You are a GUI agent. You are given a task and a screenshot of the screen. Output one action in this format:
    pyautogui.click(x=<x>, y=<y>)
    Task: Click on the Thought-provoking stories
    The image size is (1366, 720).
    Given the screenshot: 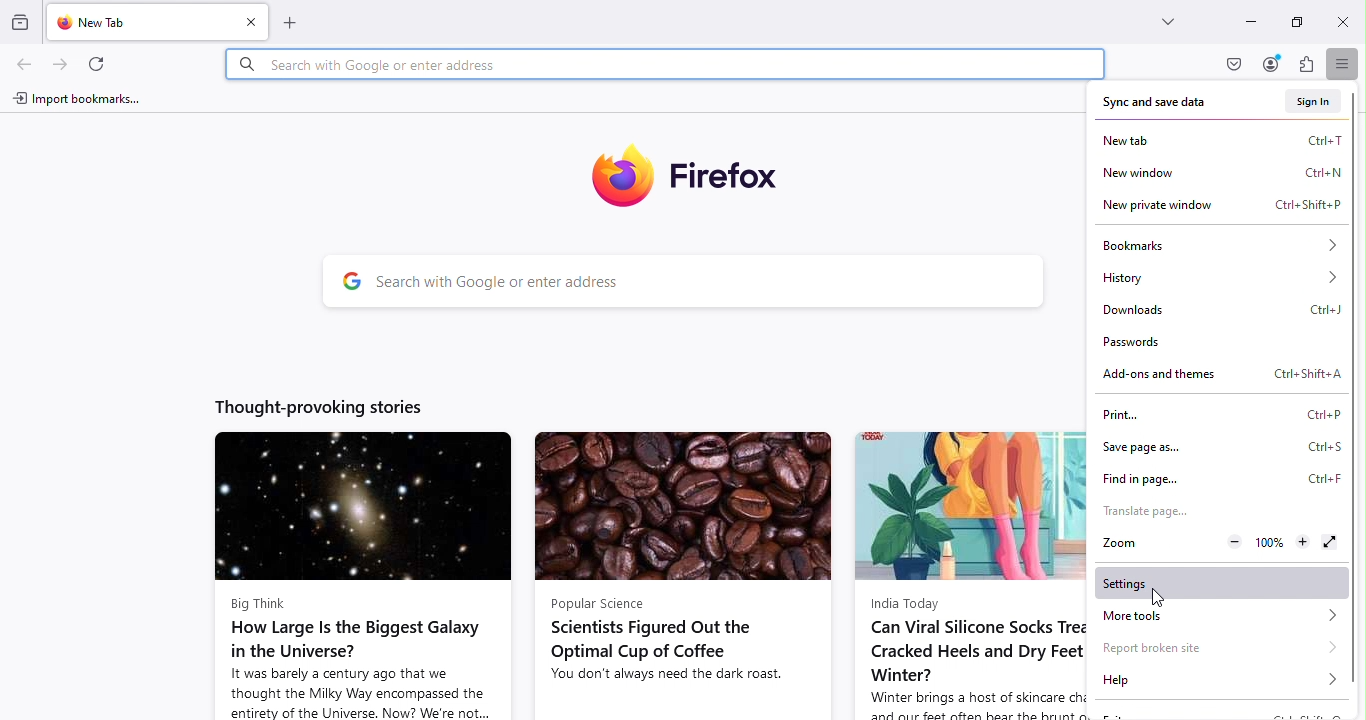 What is the action you would take?
    pyautogui.click(x=324, y=407)
    